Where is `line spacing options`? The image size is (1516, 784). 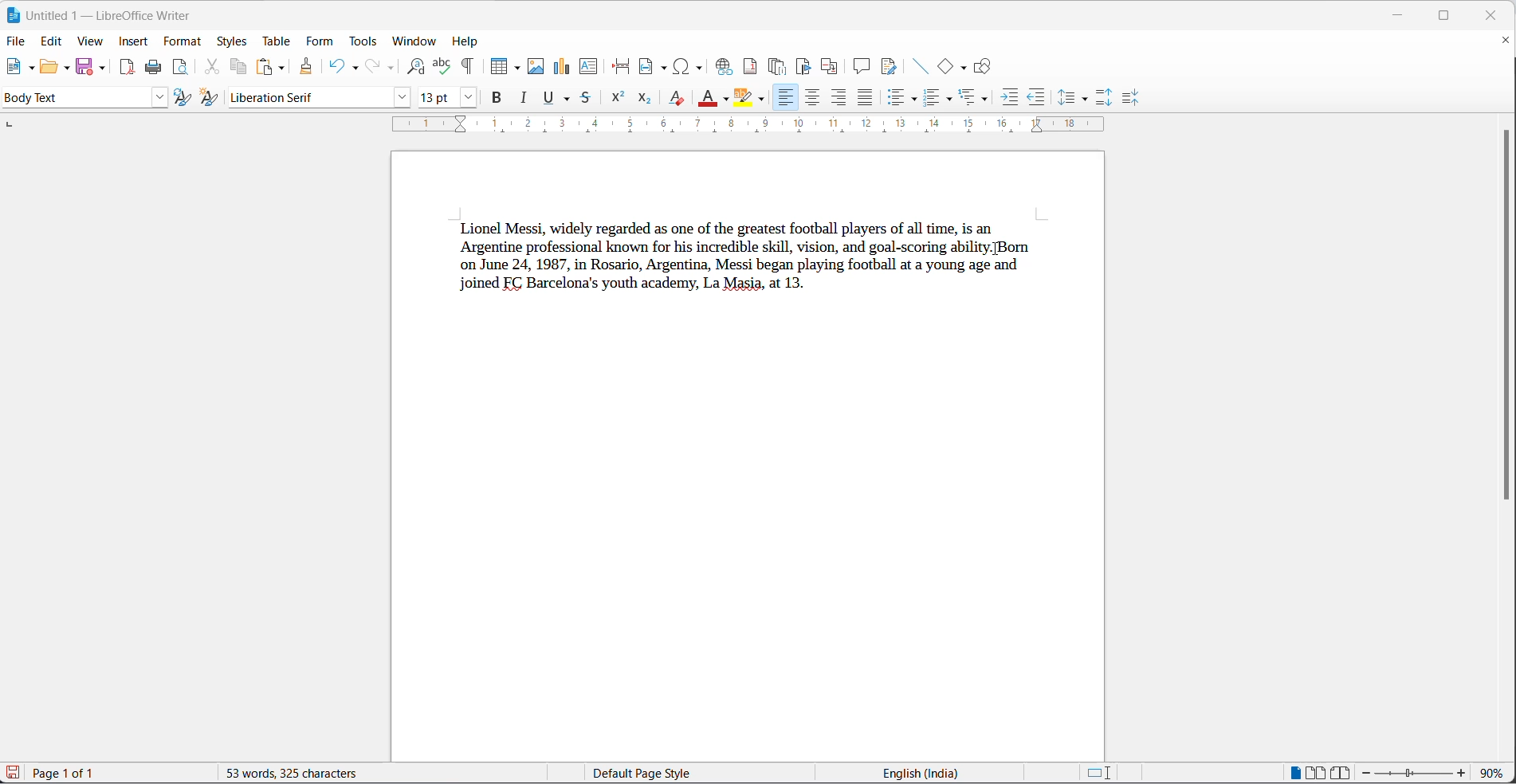 line spacing options is located at coordinates (1066, 96).